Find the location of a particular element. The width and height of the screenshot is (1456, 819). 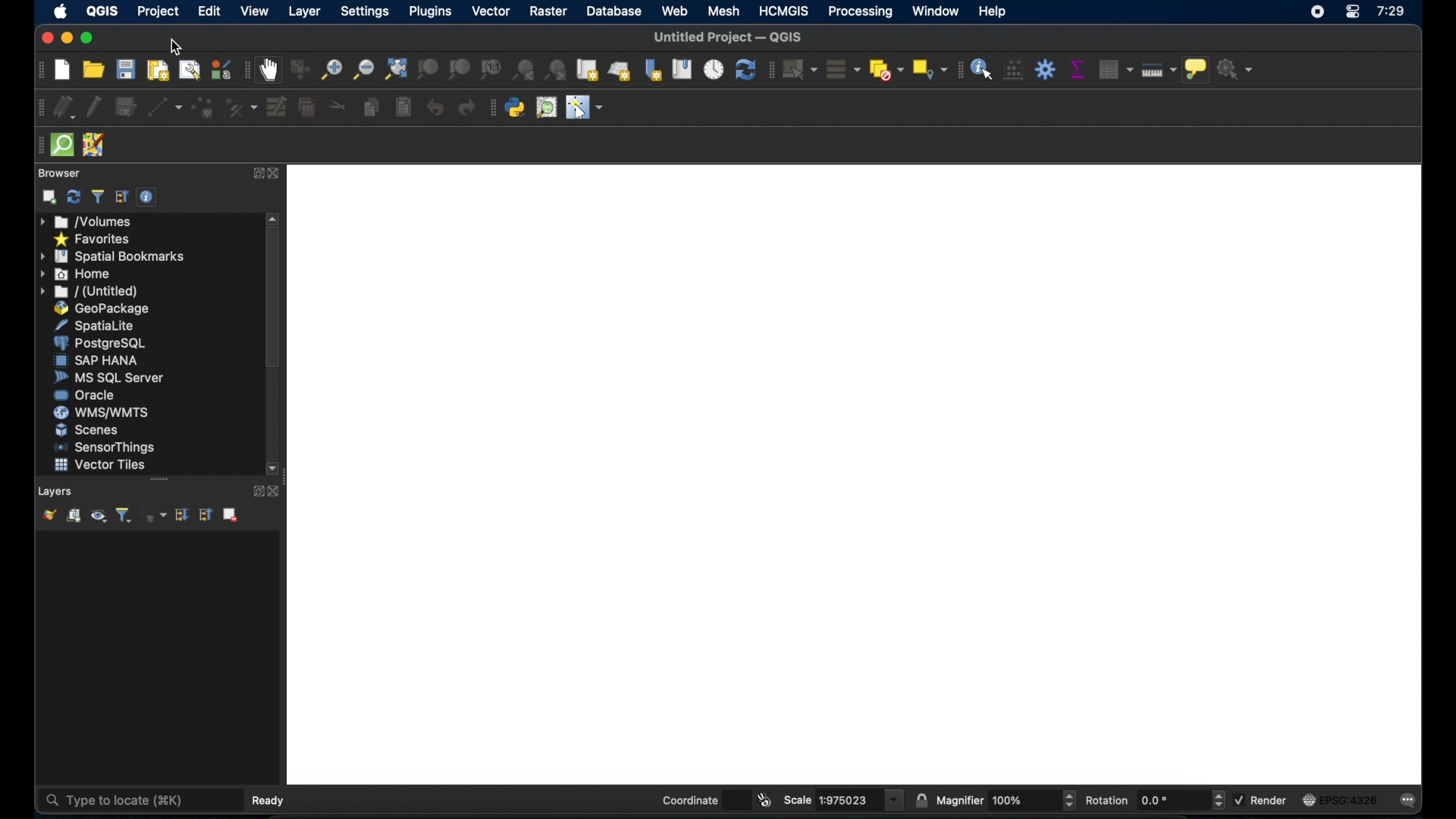

enable/disable properties widget is located at coordinates (149, 199).